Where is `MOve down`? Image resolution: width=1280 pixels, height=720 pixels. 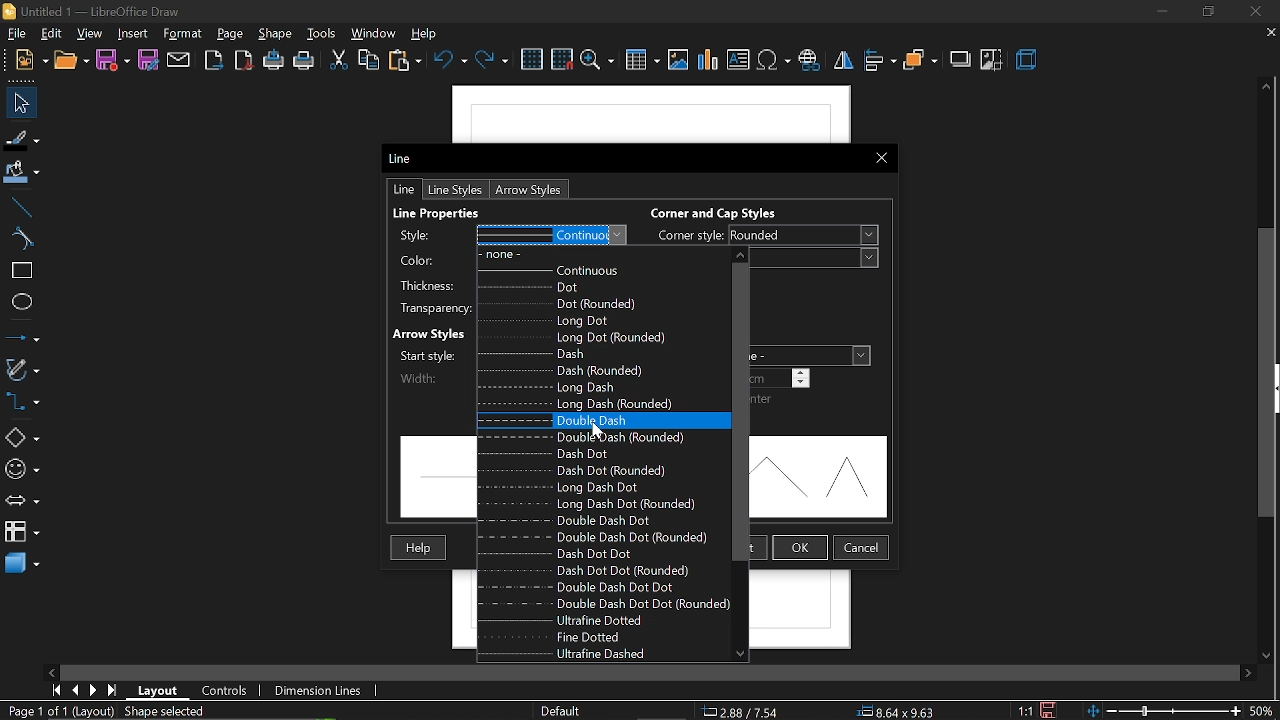 MOve down is located at coordinates (738, 656).